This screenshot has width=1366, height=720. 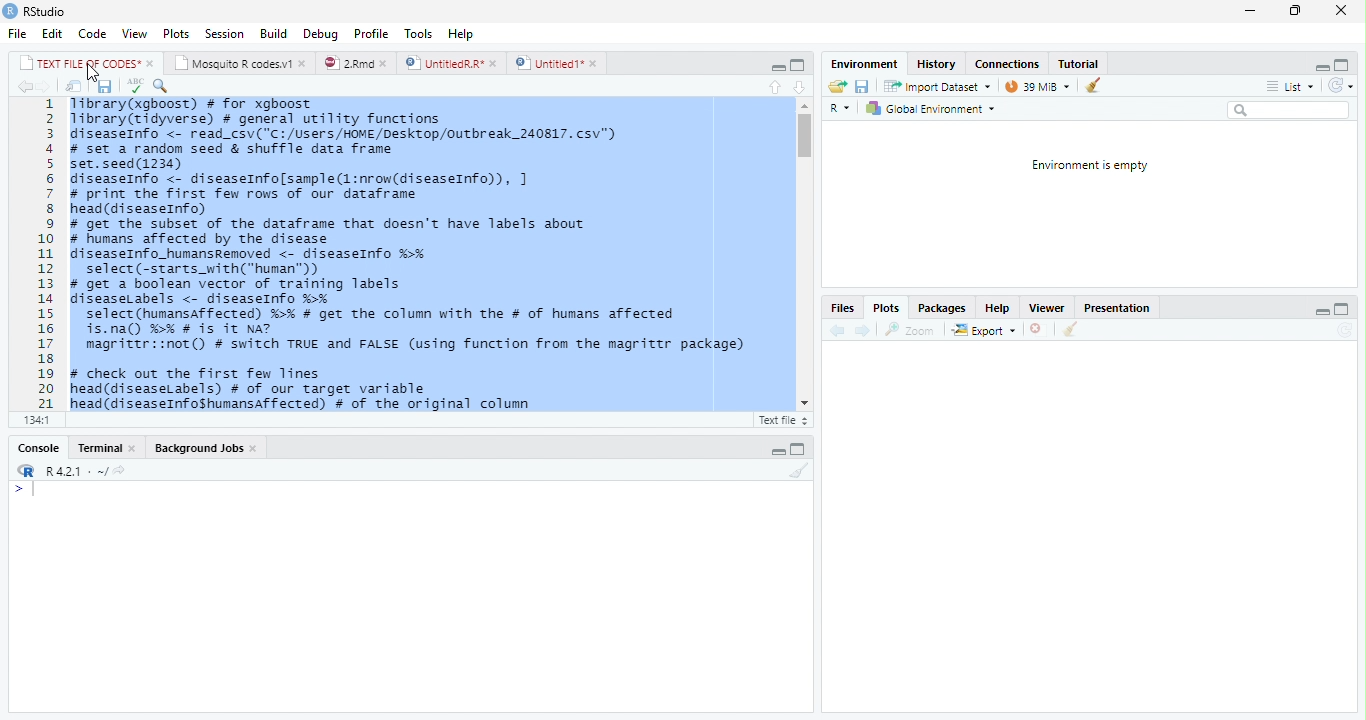 What do you see at coordinates (305, 388) in the screenshot?
I see `# check out the first few Tines
head(diseaseLabels) # of our target variable
head(diseaseInfoShumansaffected) # of the original column` at bounding box center [305, 388].